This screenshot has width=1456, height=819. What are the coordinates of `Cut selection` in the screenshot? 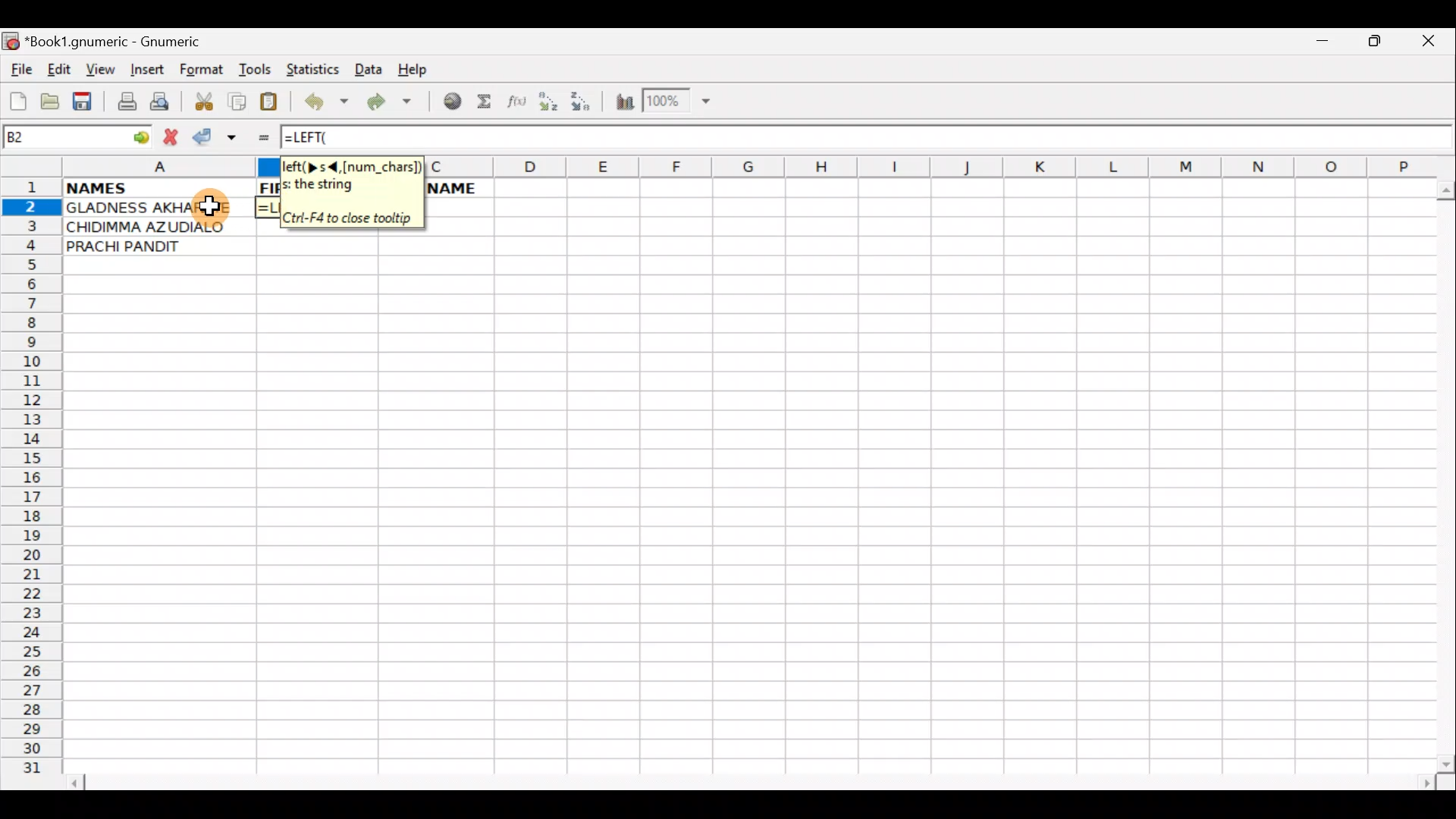 It's located at (203, 99).